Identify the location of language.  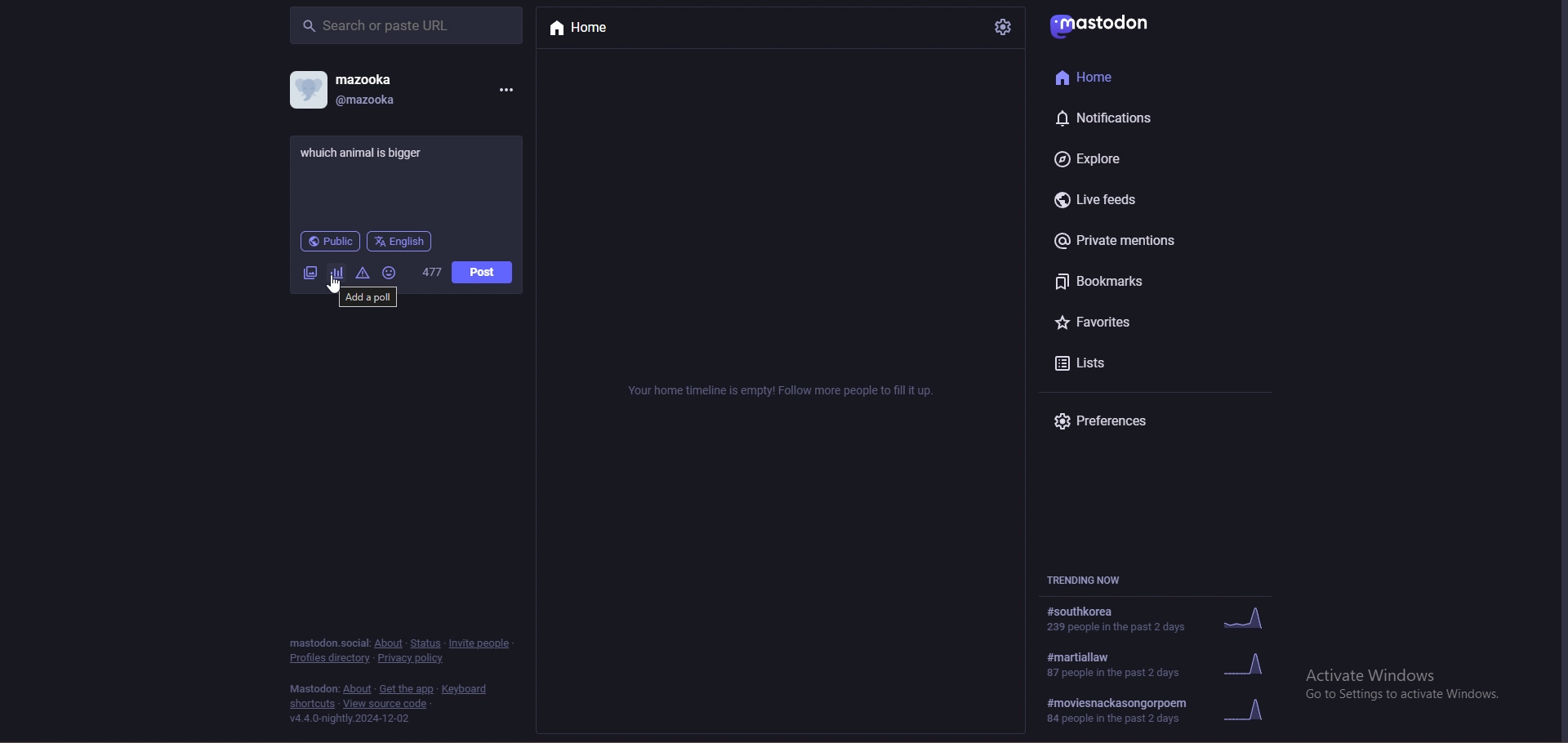
(399, 241).